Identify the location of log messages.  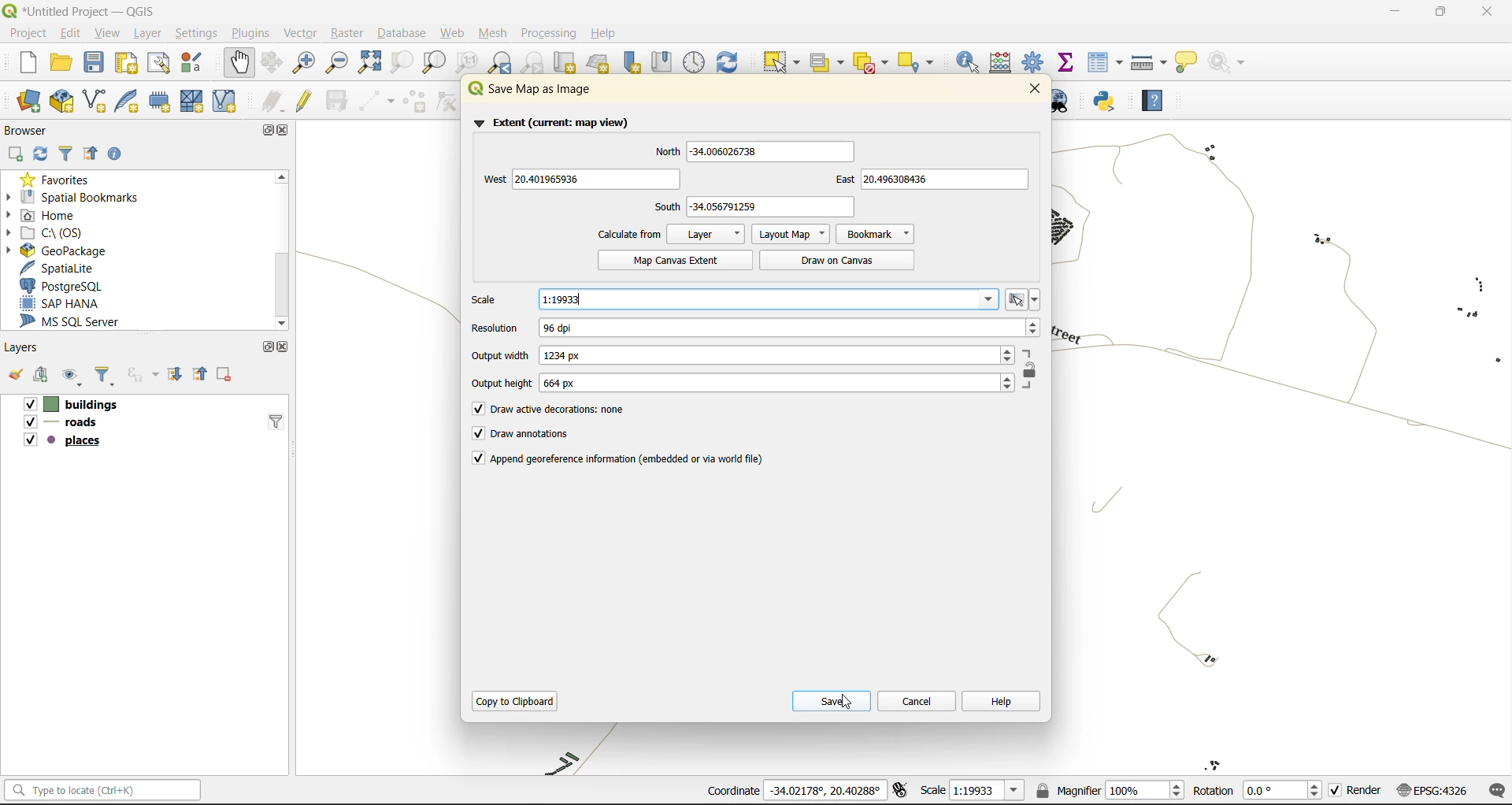
(1494, 791).